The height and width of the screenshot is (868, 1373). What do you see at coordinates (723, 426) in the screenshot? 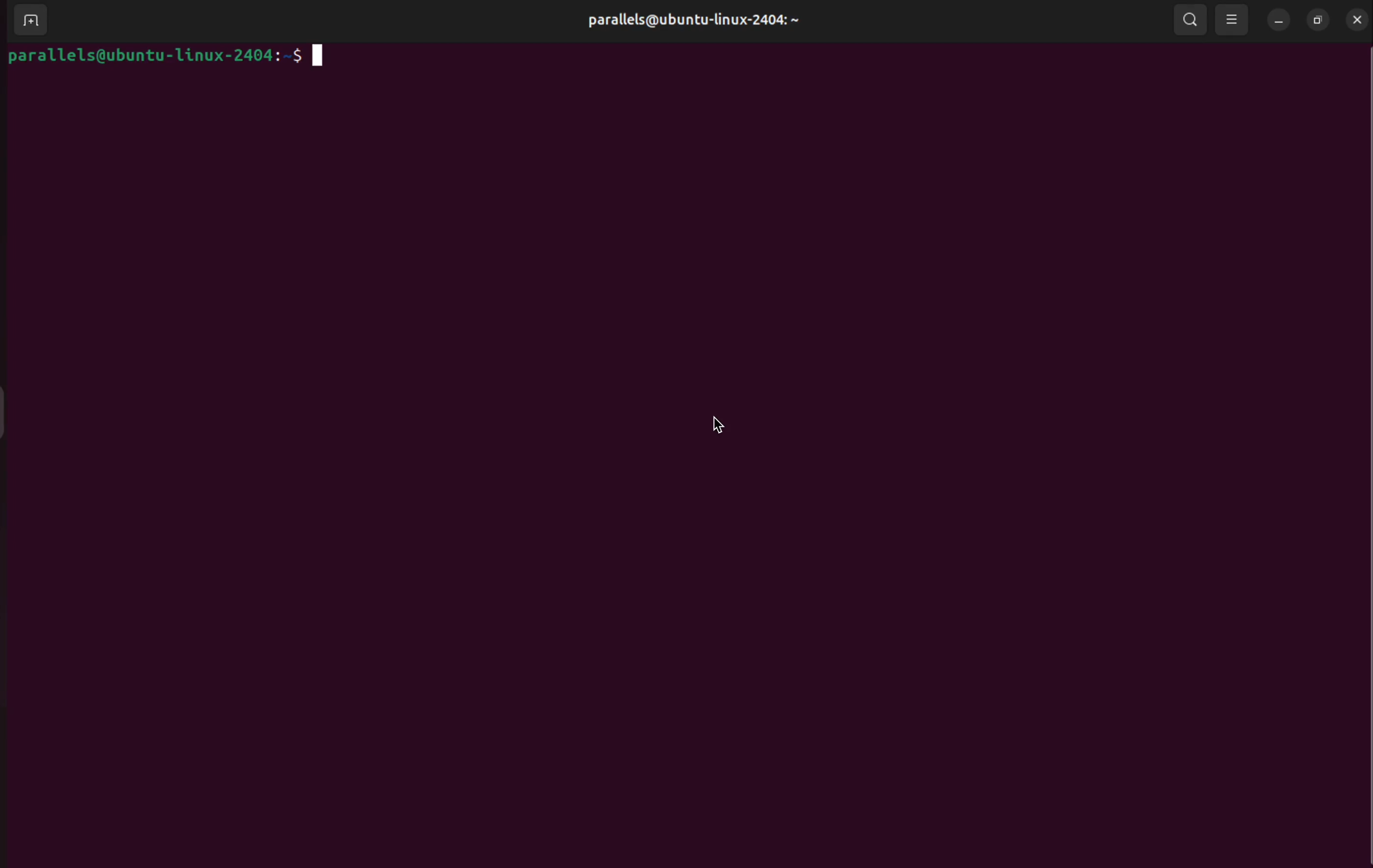
I see `cursor` at bounding box center [723, 426].